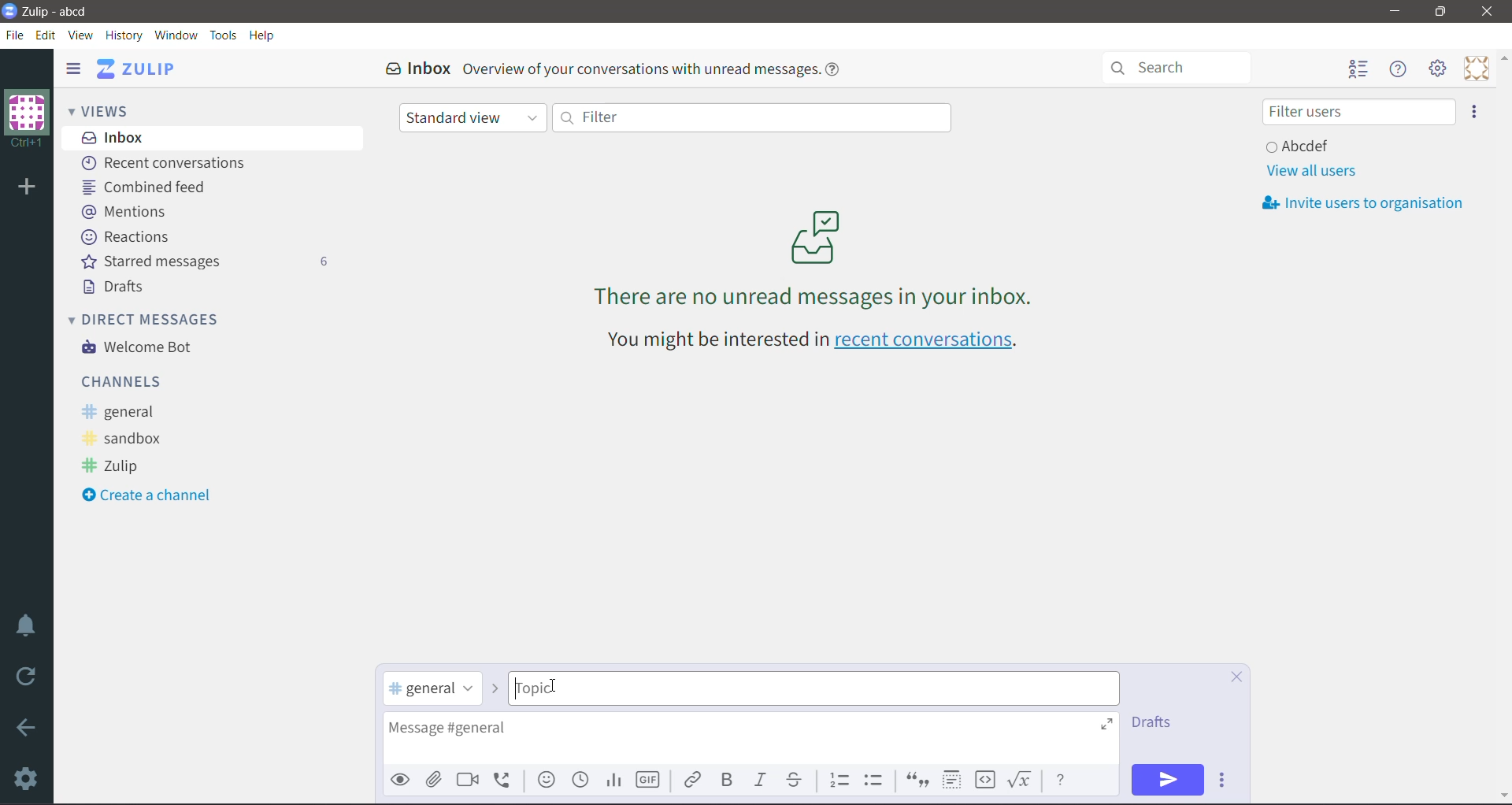  What do you see at coordinates (115, 467) in the screenshot?
I see `Zulip` at bounding box center [115, 467].